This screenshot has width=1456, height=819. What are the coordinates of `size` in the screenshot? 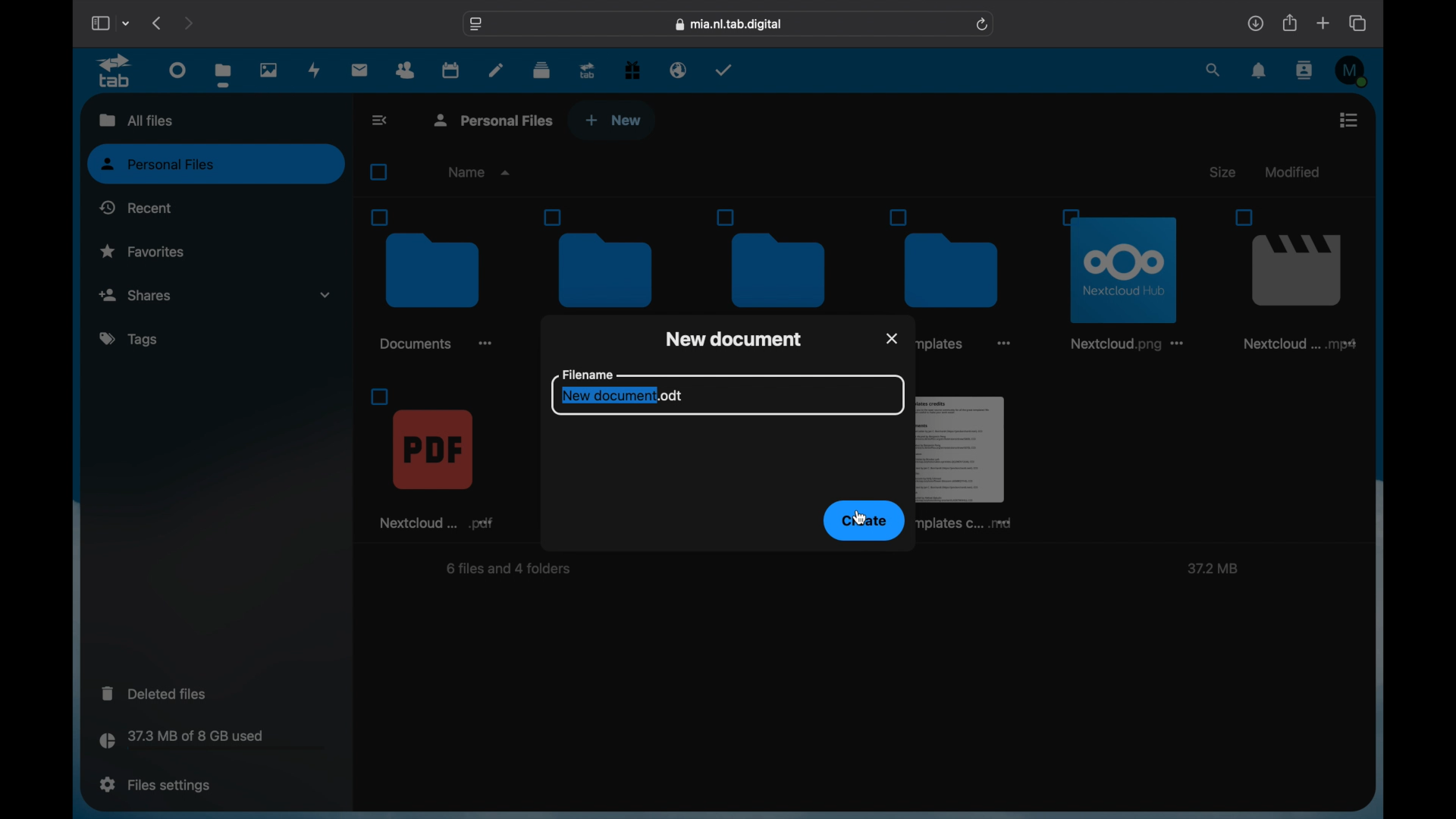 It's located at (1225, 172).